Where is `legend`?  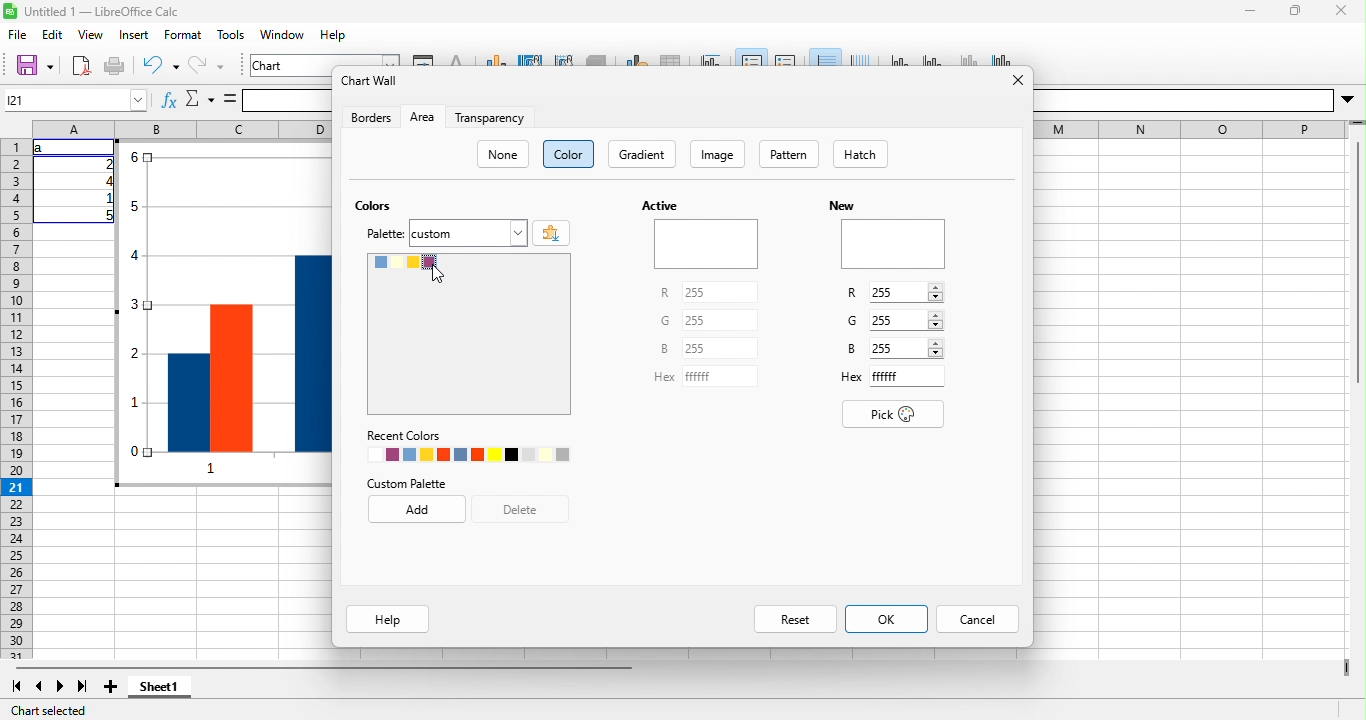 legend is located at coordinates (786, 58).